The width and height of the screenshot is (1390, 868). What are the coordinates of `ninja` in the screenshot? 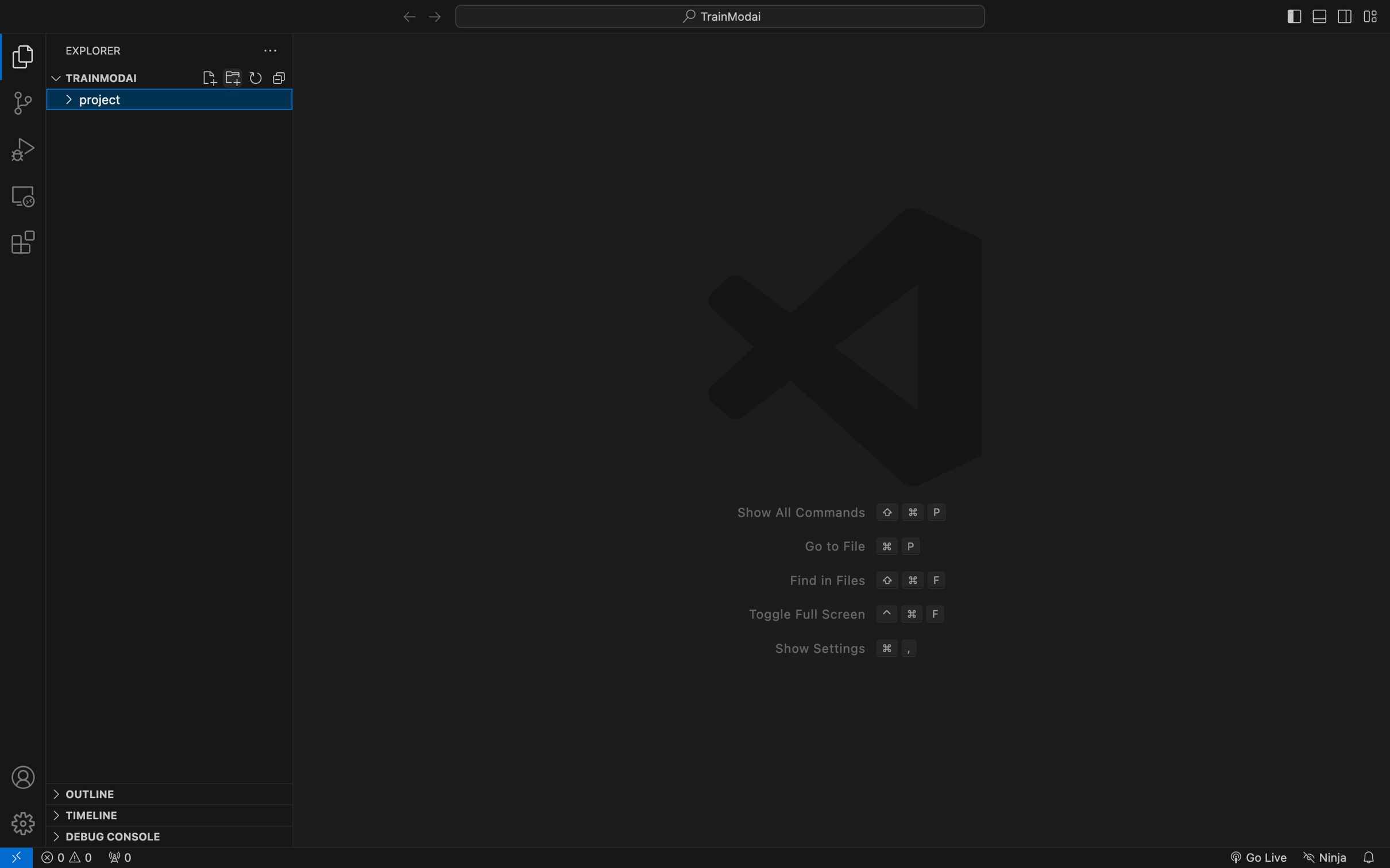 It's located at (1325, 854).